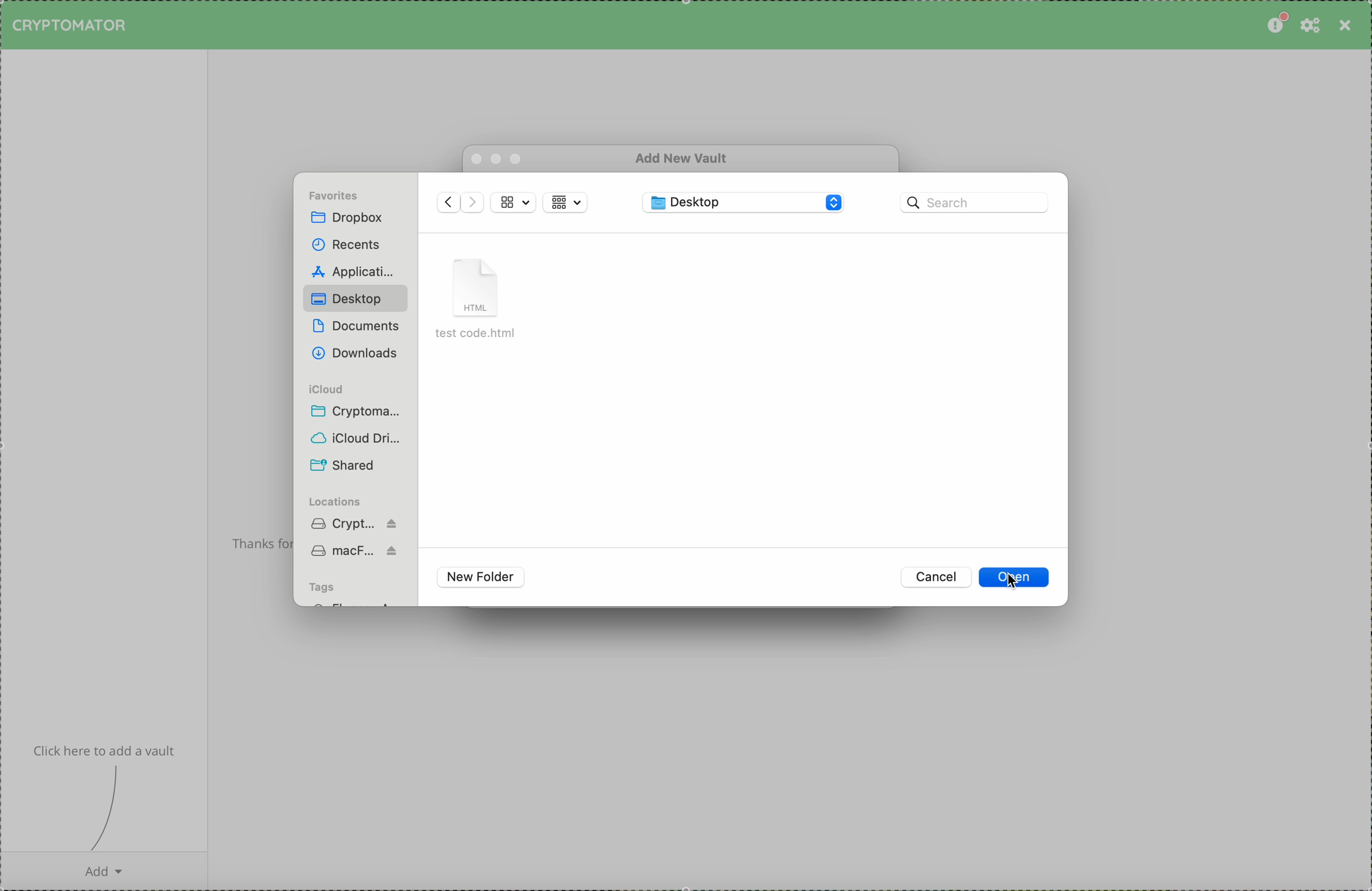 The image size is (1372, 891). I want to click on add, so click(123, 870).